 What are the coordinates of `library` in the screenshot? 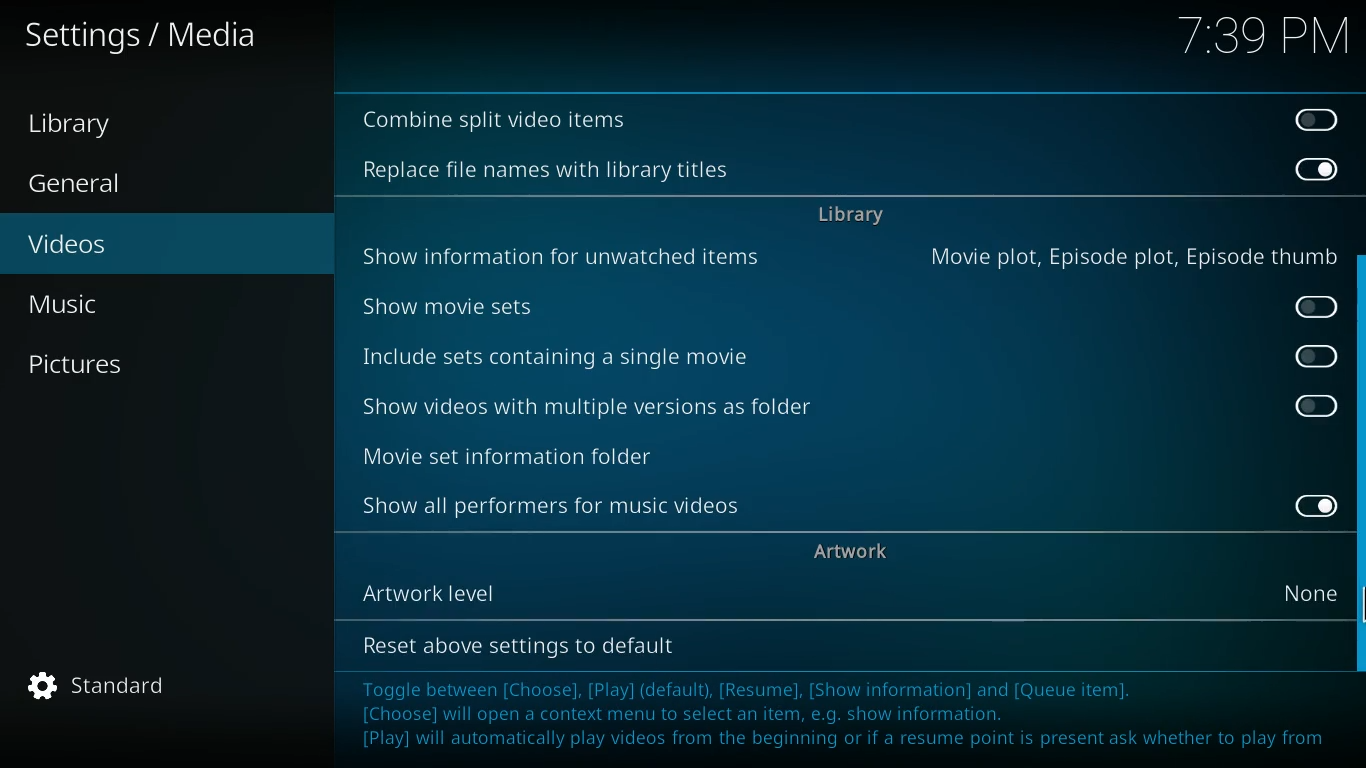 It's located at (850, 218).